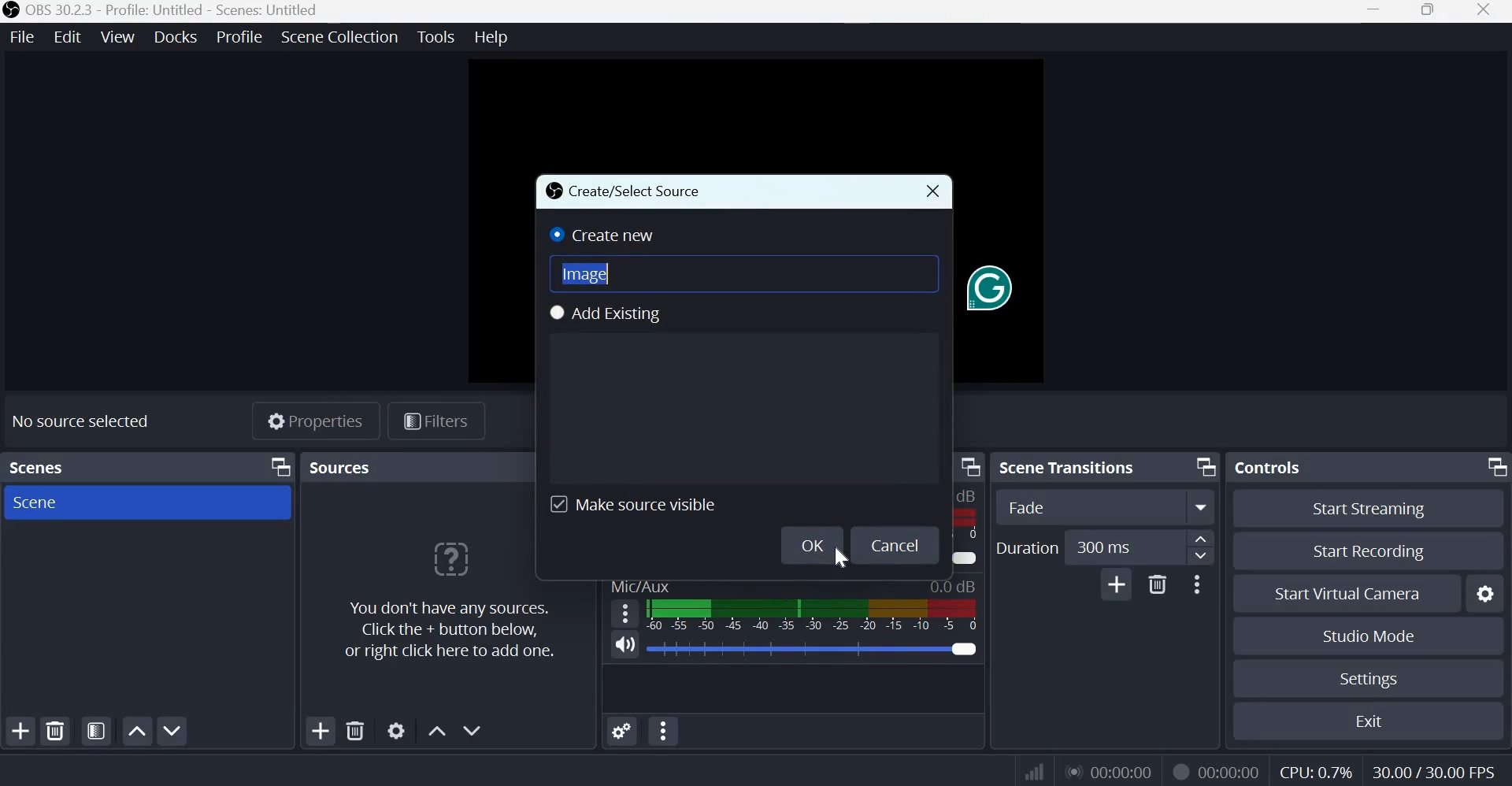 The height and width of the screenshot is (786, 1512). I want to click on scene collection, so click(340, 35).